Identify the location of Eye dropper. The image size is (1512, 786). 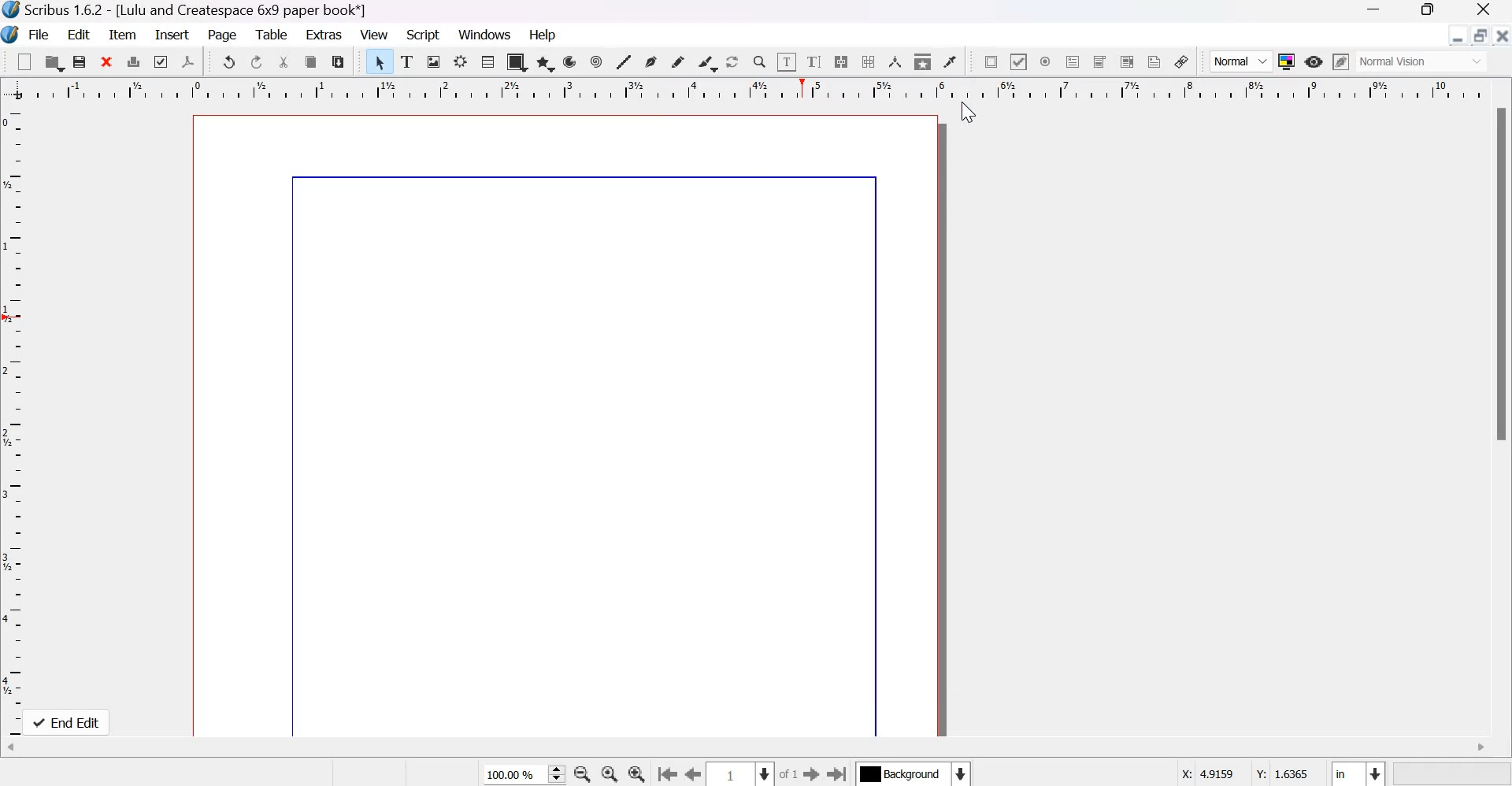
(949, 62).